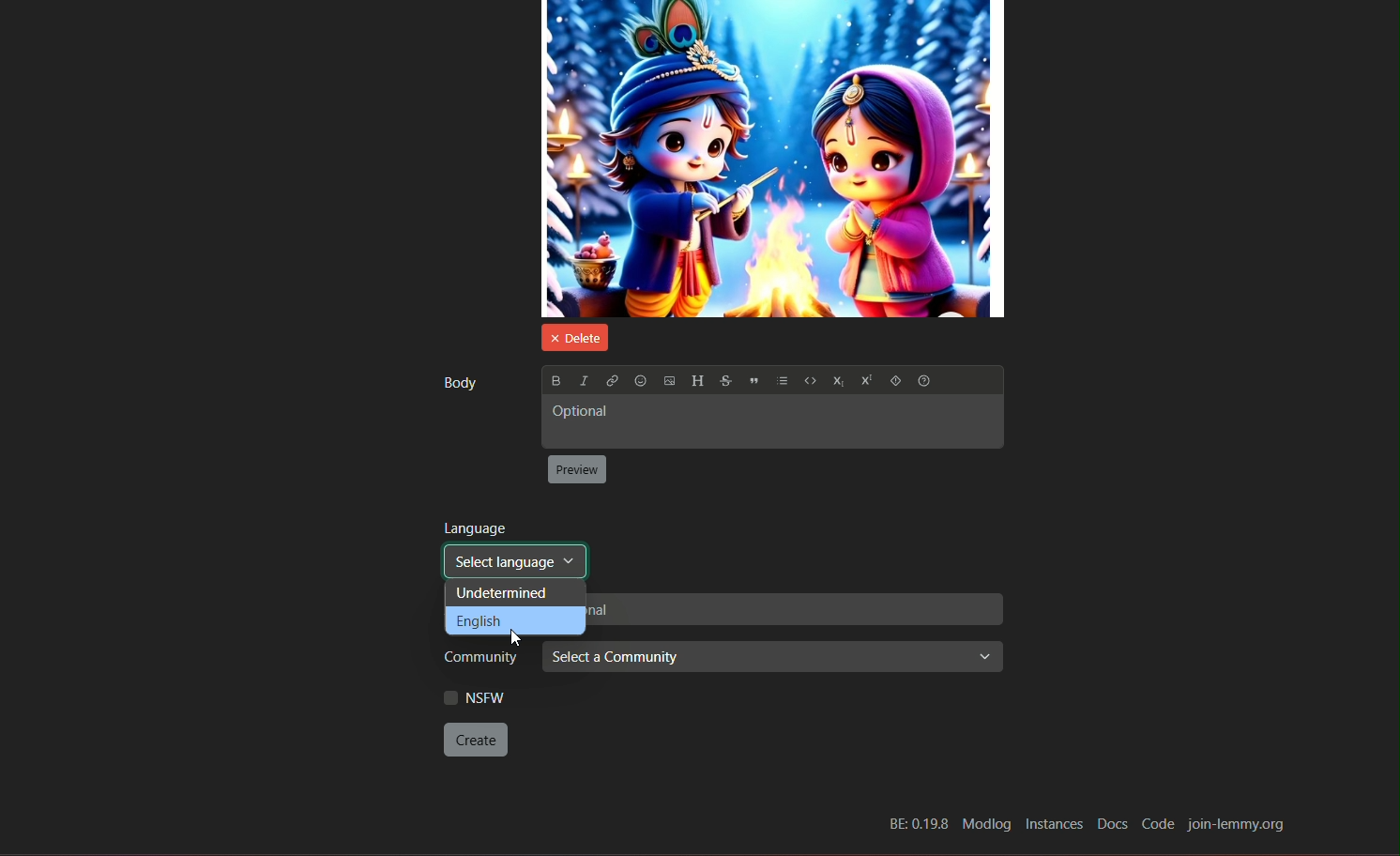  What do you see at coordinates (724, 381) in the screenshot?
I see `strikethrough` at bounding box center [724, 381].